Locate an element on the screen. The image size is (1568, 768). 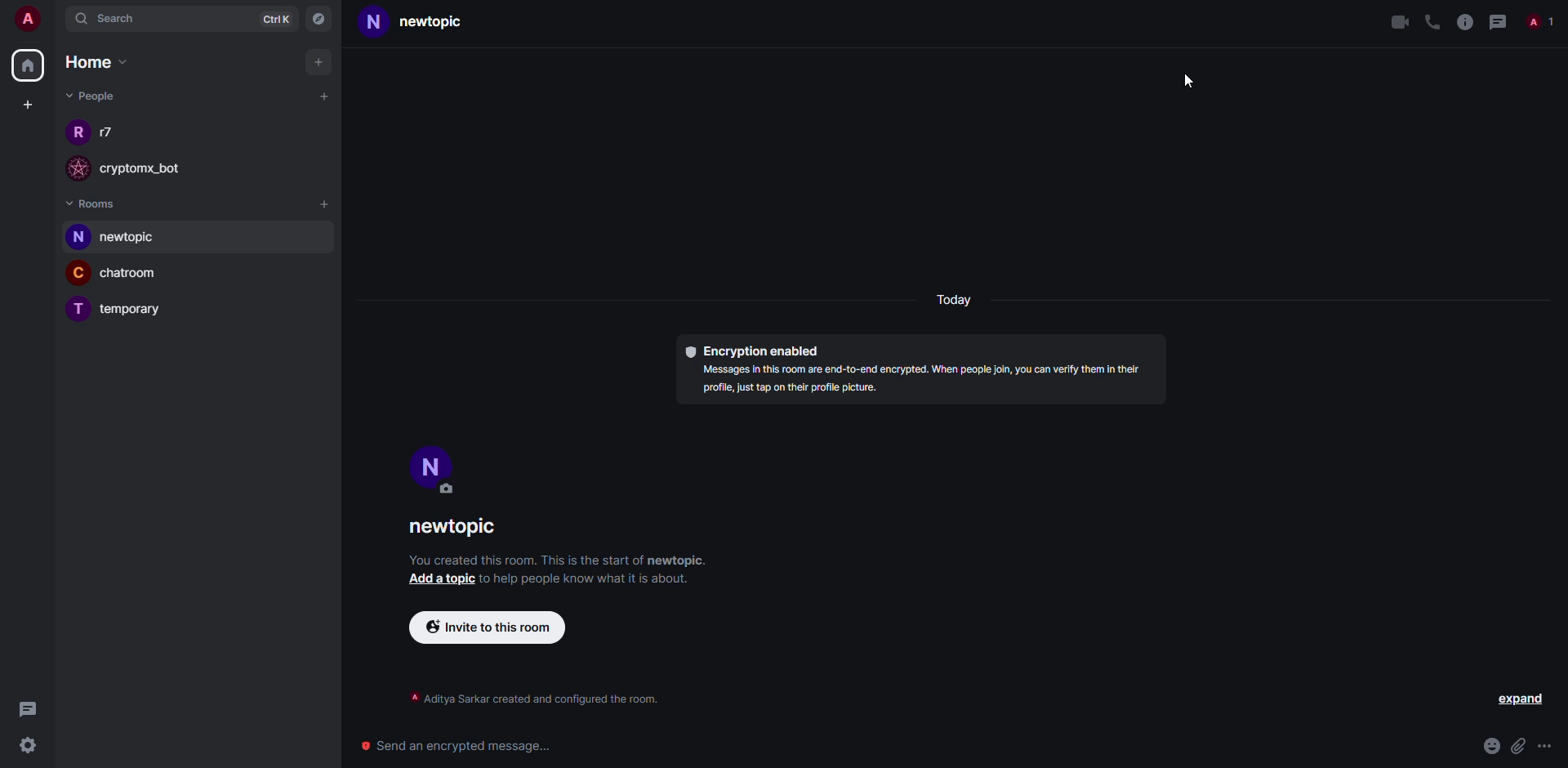
create space is located at coordinates (28, 105).